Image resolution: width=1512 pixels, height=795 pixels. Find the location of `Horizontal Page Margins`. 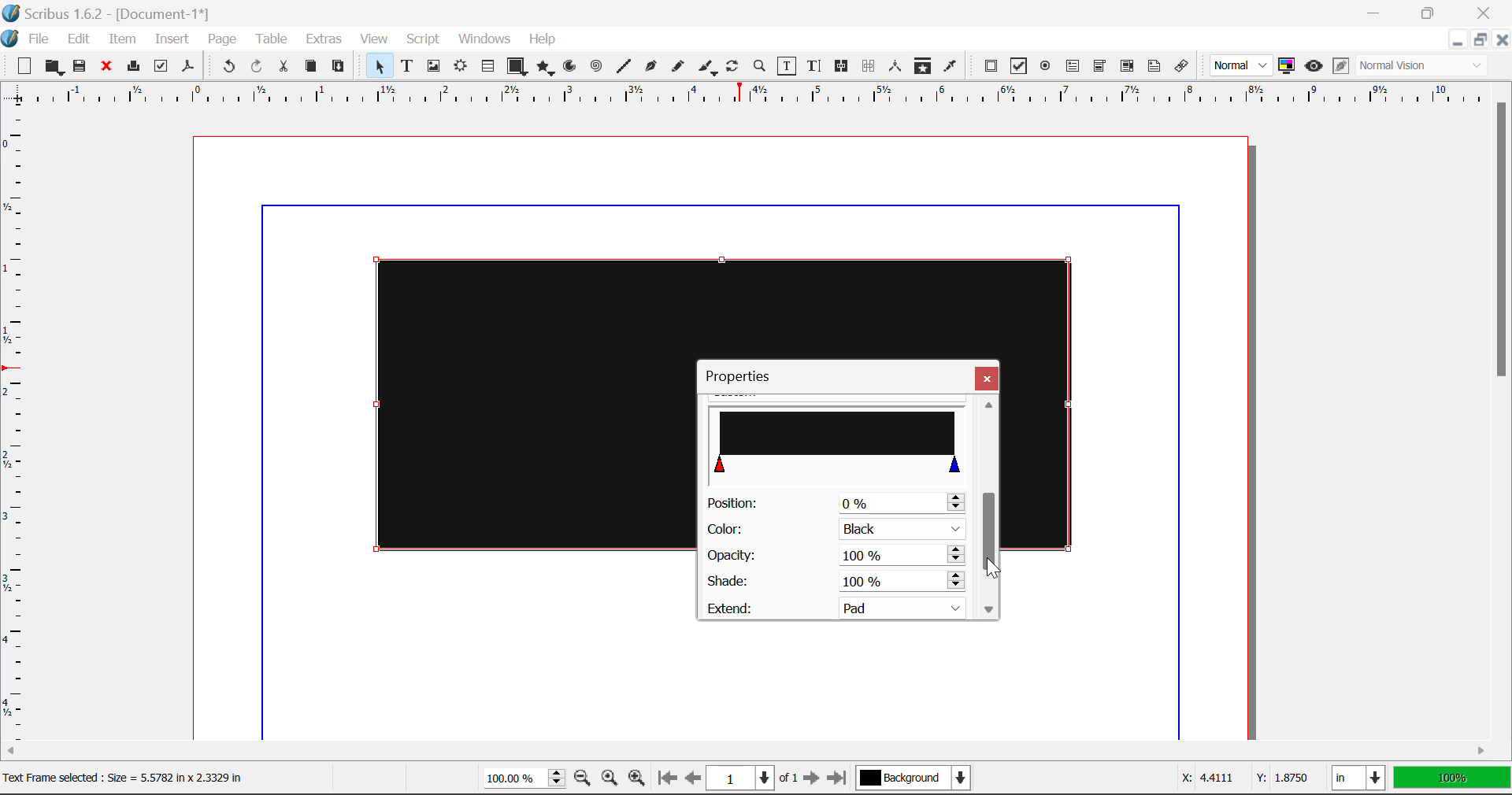

Horizontal Page Margins is located at coordinates (20, 431).